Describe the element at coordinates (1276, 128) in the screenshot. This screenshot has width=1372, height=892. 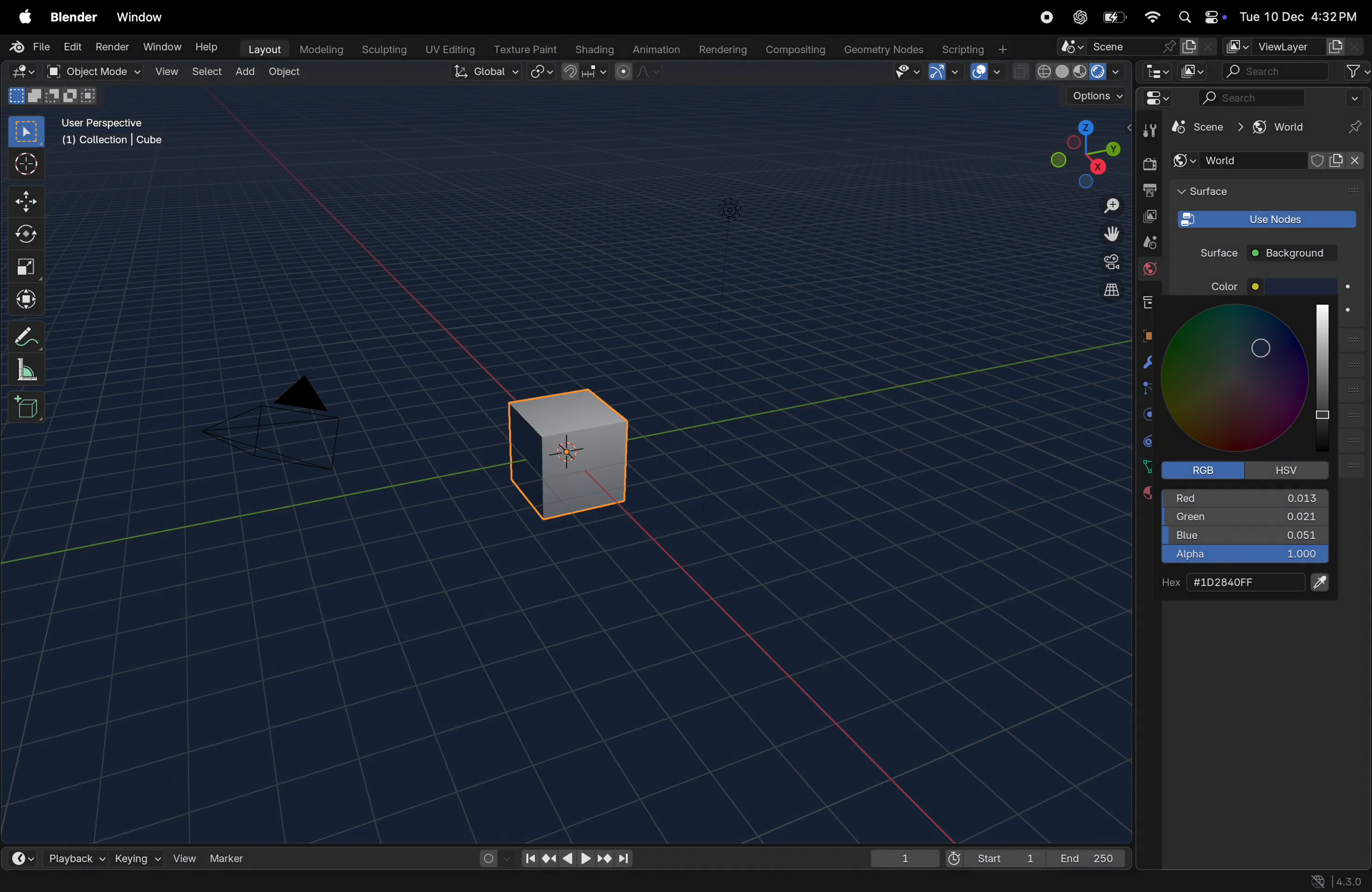
I see `> & World` at that location.